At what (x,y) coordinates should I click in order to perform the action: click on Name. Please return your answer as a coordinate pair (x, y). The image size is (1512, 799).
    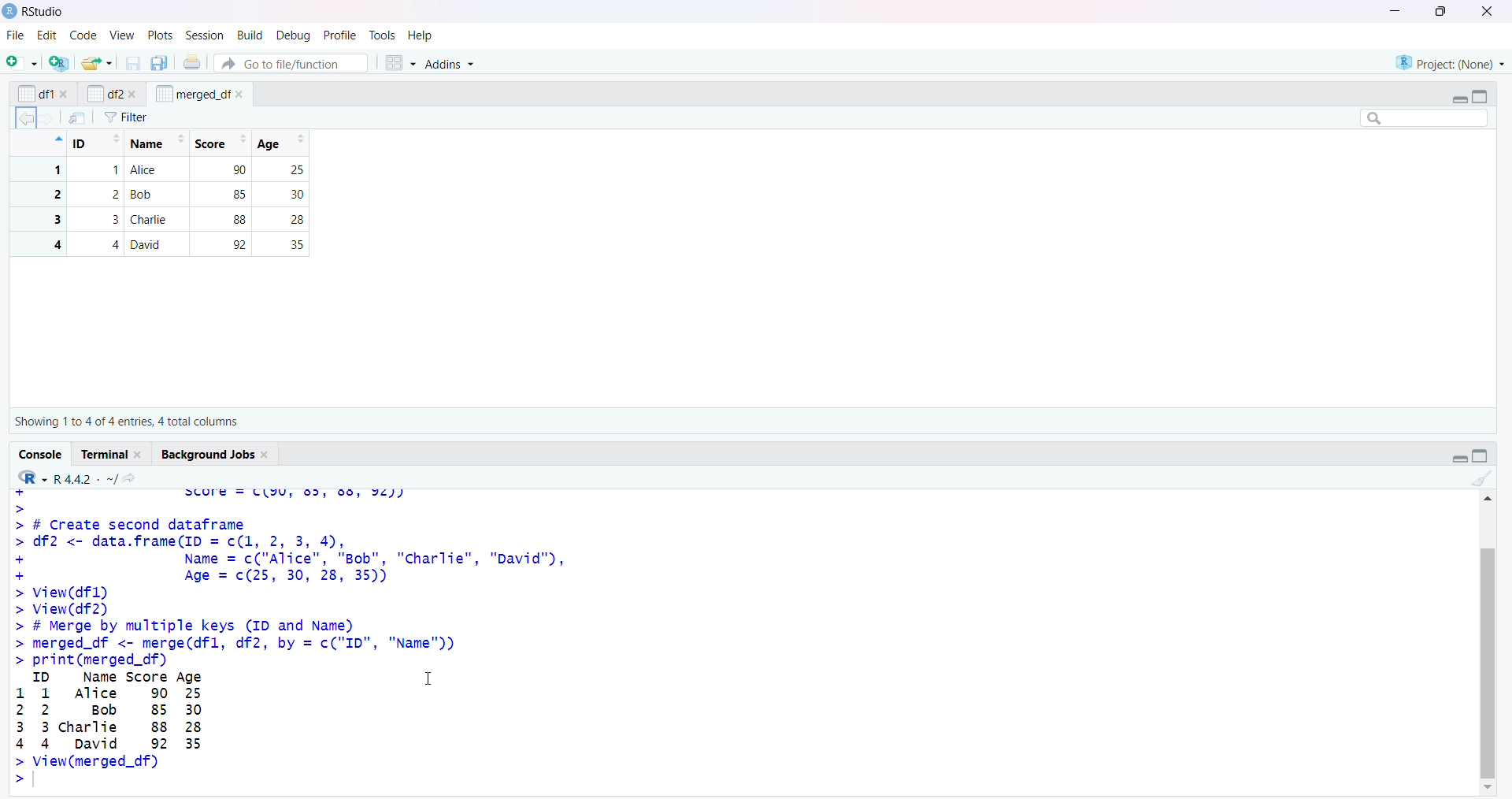
    Looking at the image, I should click on (156, 143).